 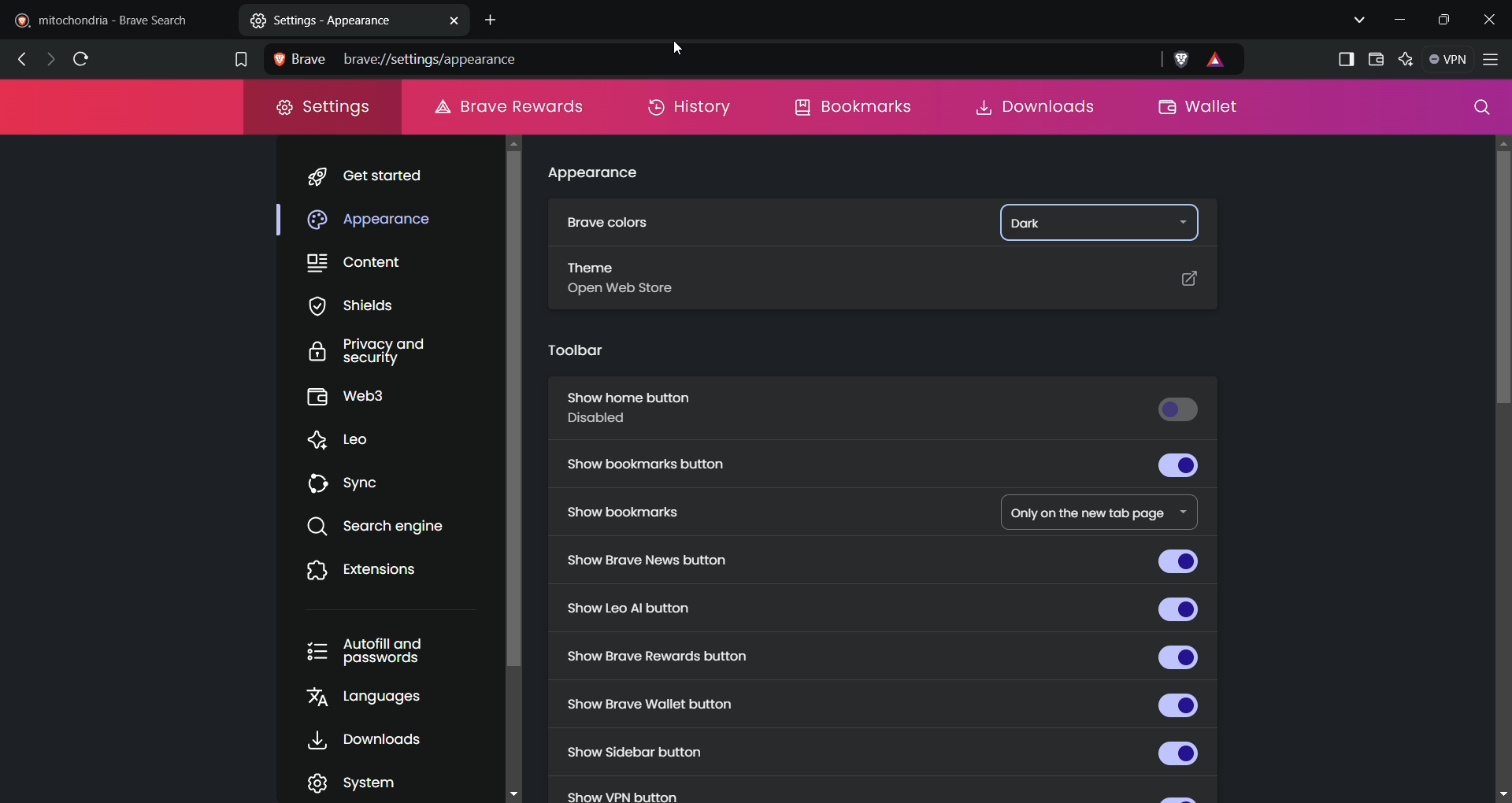 What do you see at coordinates (402, 57) in the screenshot?
I see `brave//settings` at bounding box center [402, 57].